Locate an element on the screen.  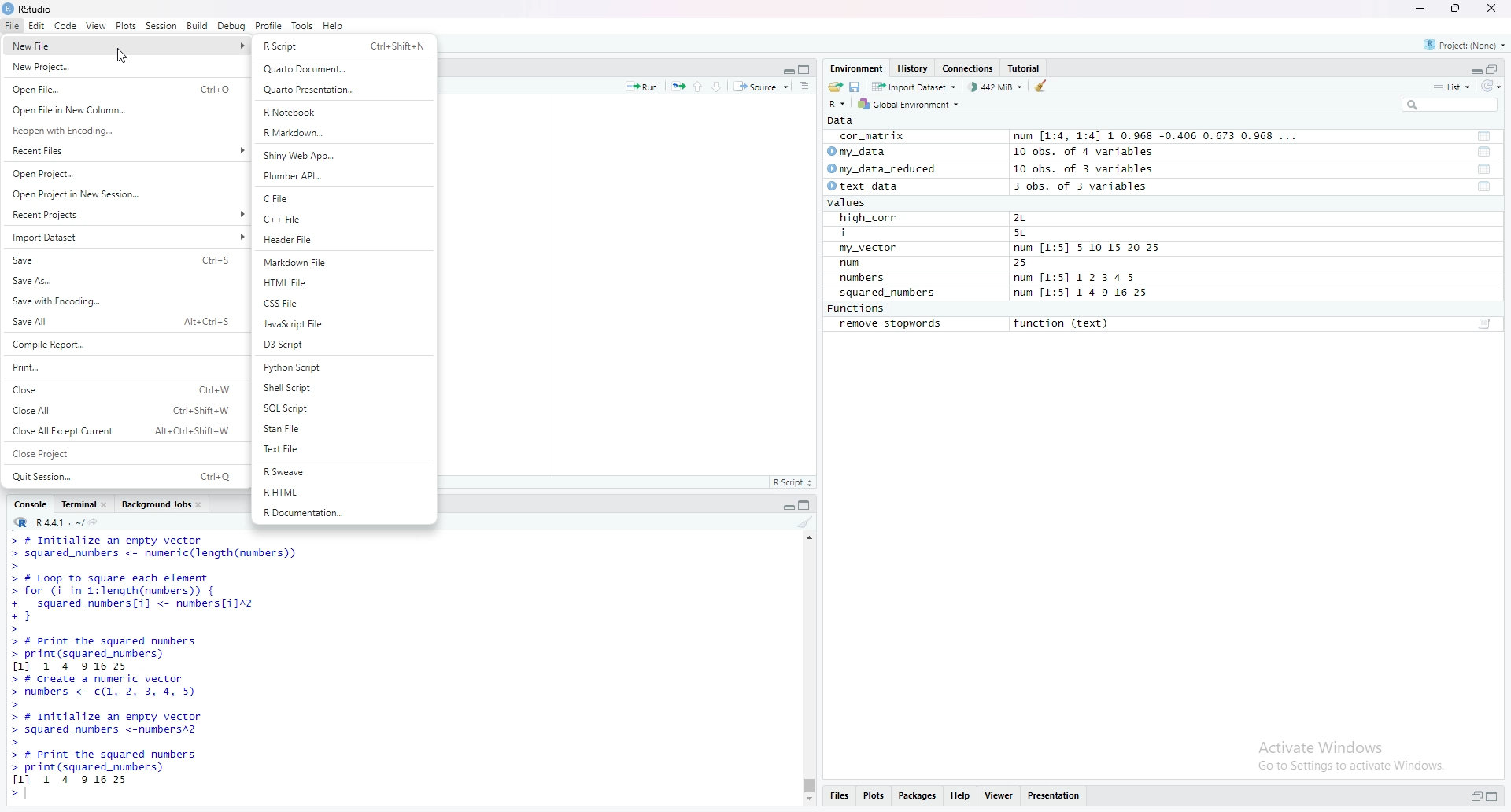
R is located at coordinates (833, 105).